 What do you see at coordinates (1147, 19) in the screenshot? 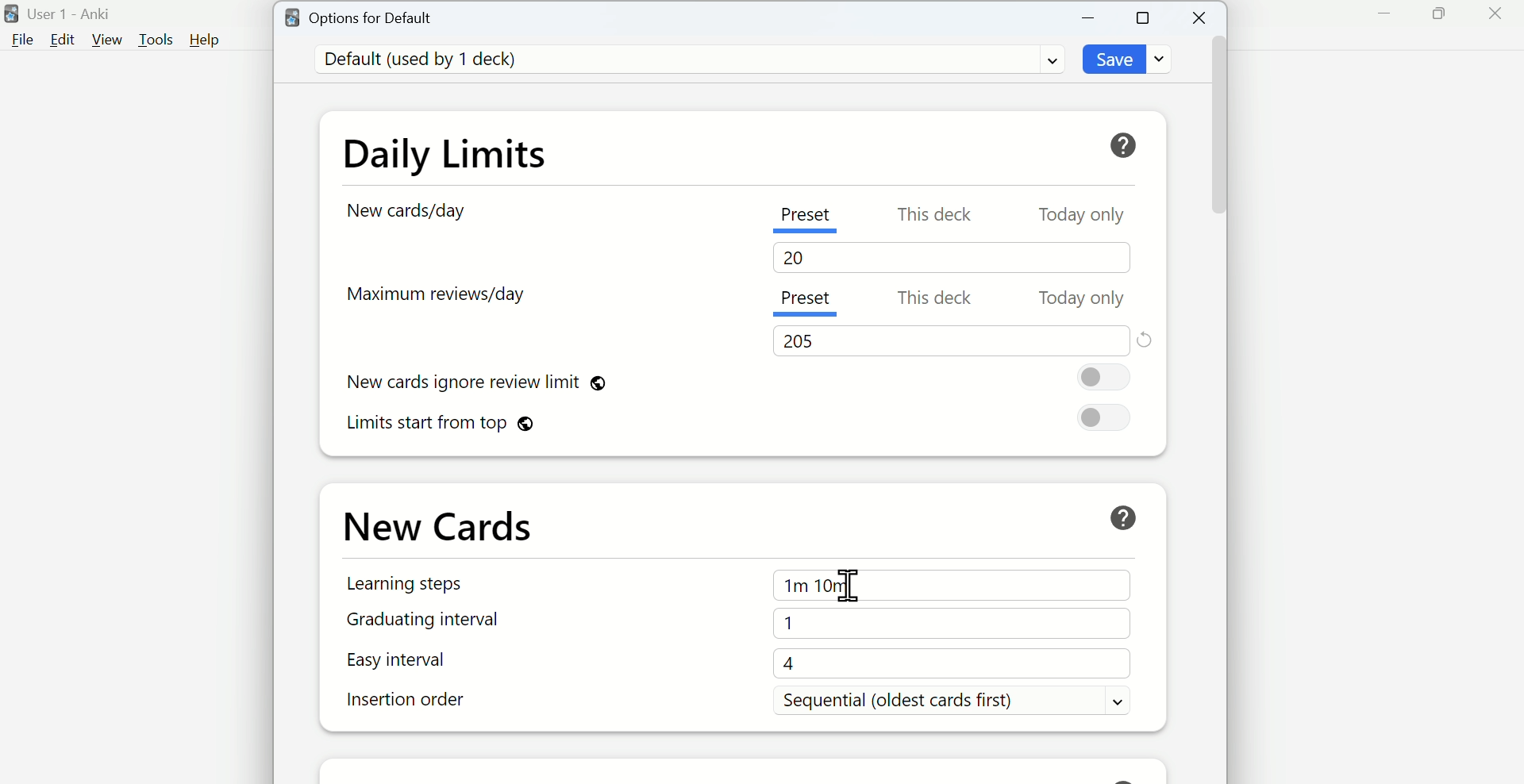
I see `Maximize` at bounding box center [1147, 19].